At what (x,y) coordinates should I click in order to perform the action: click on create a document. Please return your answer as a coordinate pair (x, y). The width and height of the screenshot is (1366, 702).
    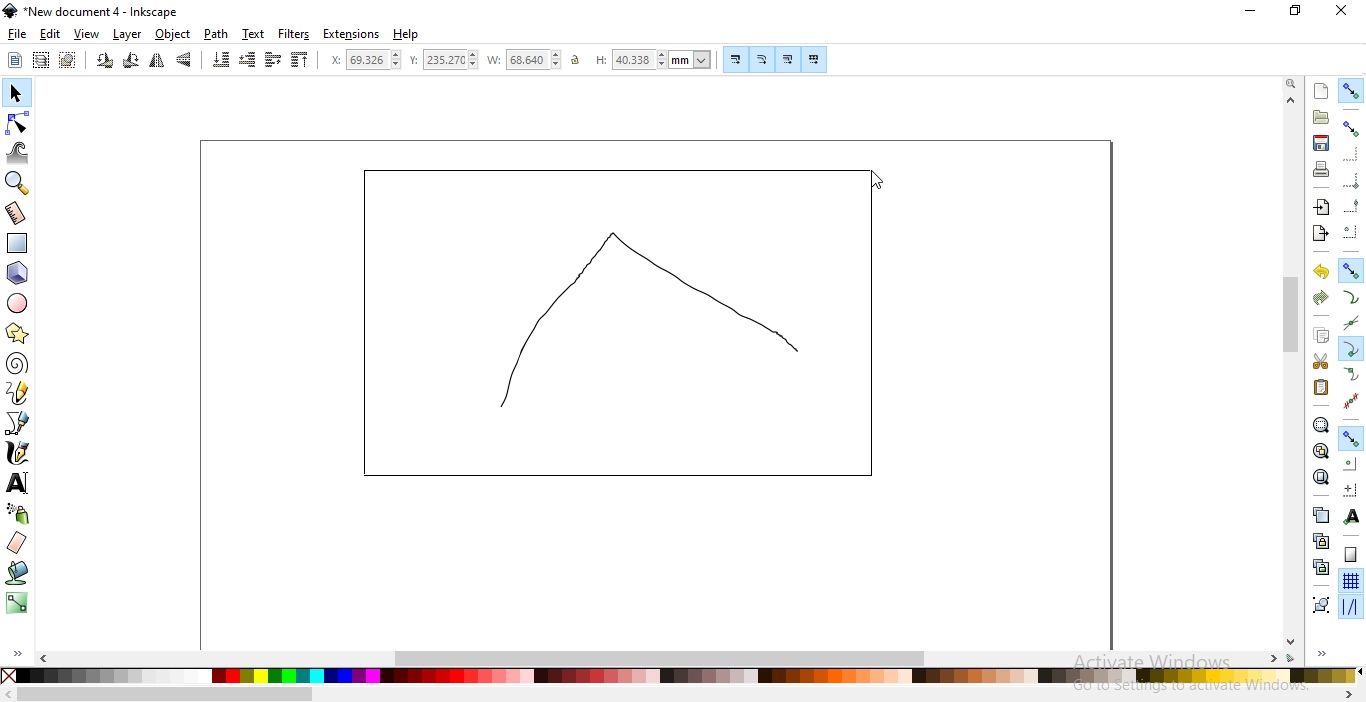
    Looking at the image, I should click on (1322, 91).